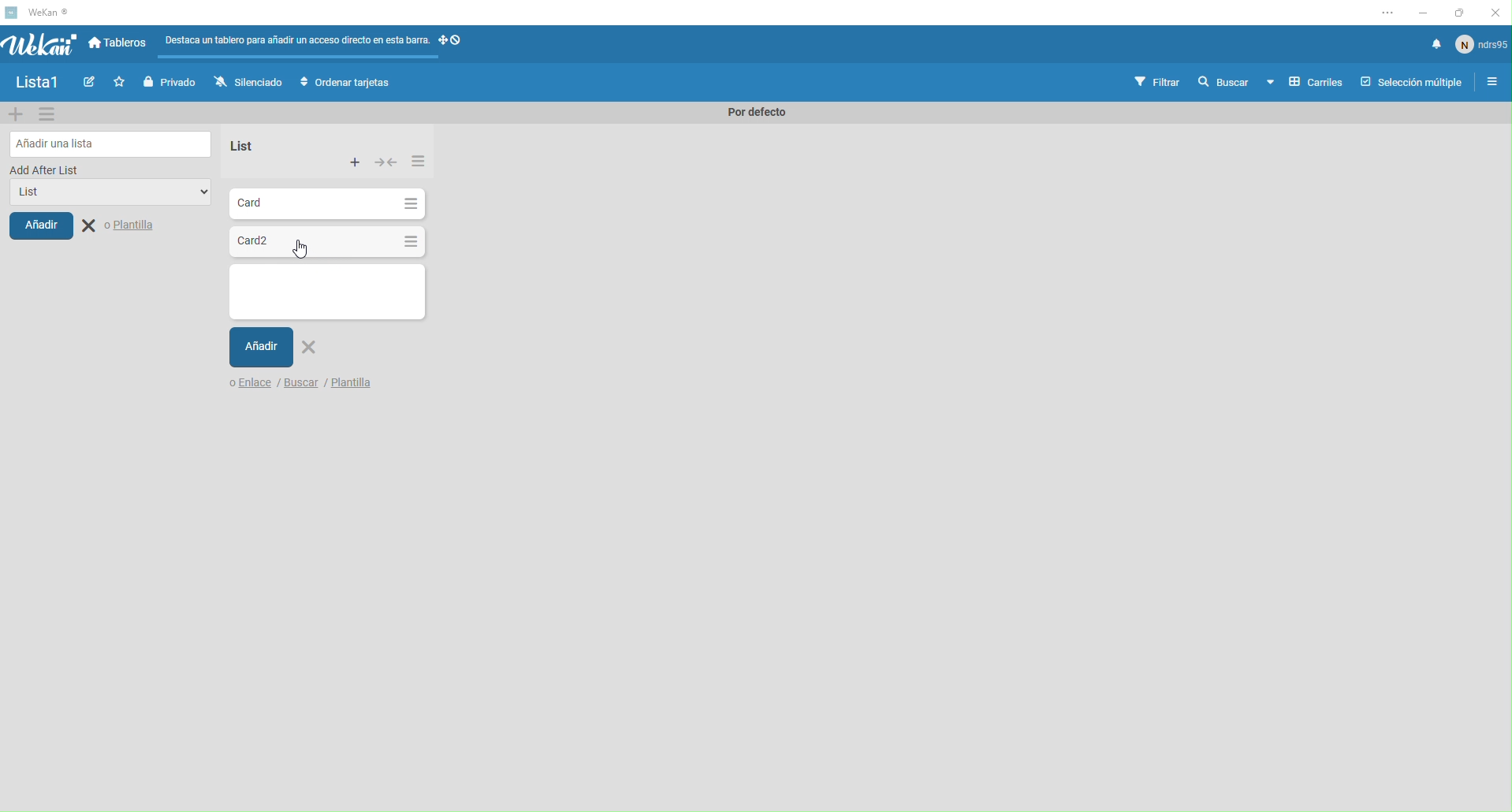  What do you see at coordinates (286, 388) in the screenshot?
I see `© Enlace / Buscar / Plantilla` at bounding box center [286, 388].